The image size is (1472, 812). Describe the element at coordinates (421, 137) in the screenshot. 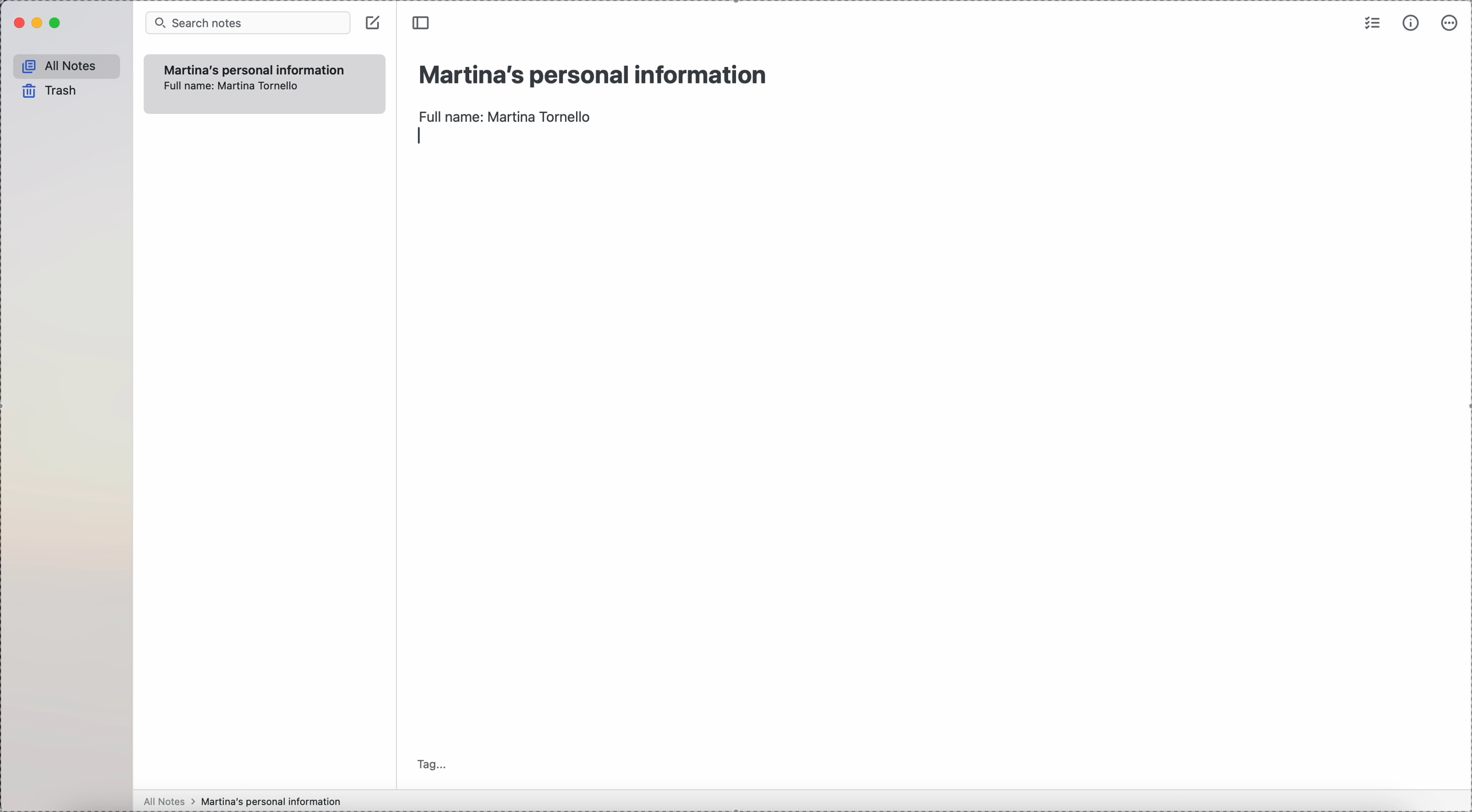

I see `enter` at that location.